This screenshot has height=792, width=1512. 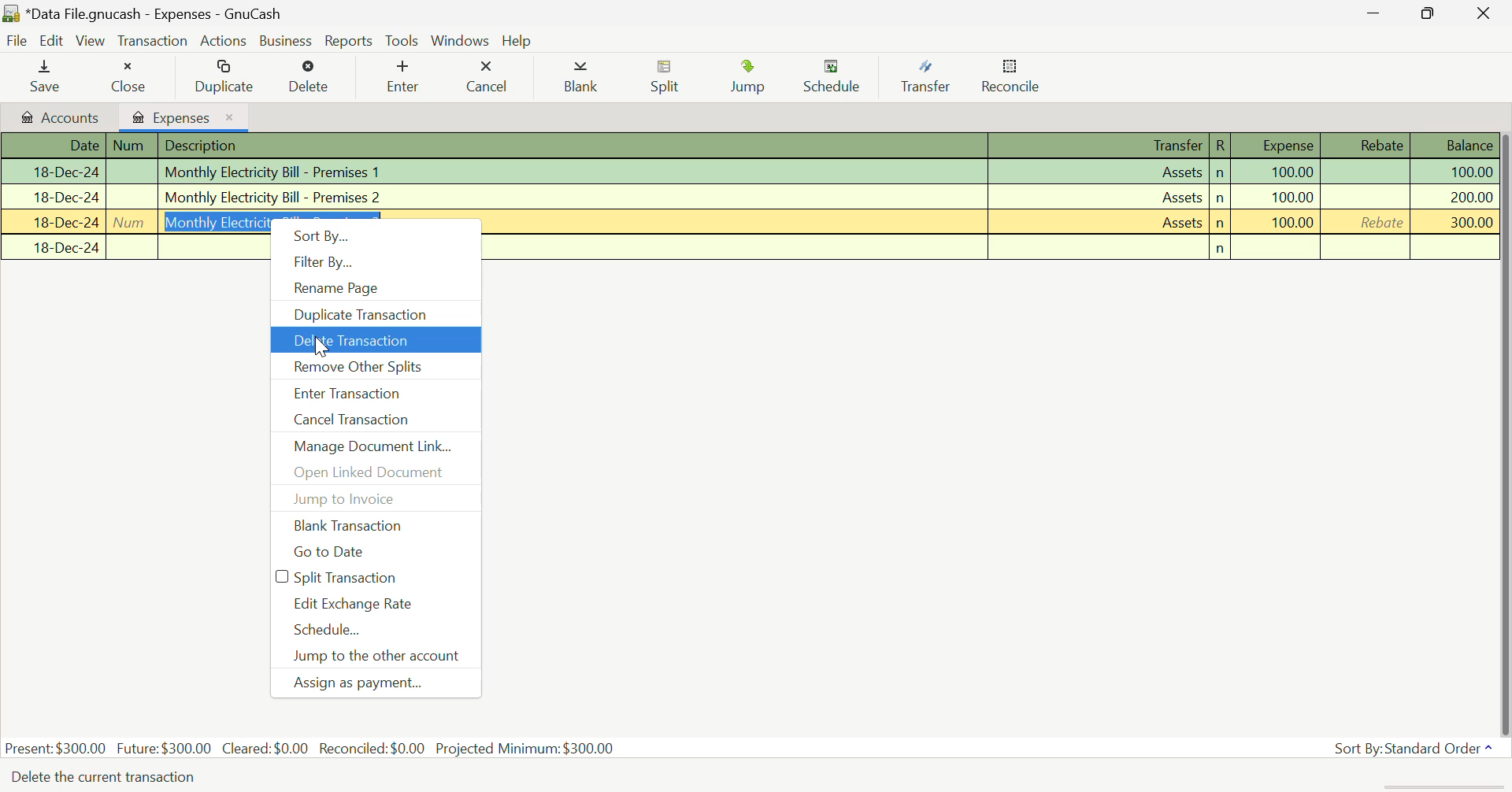 I want to click on Delete, so click(x=309, y=77).